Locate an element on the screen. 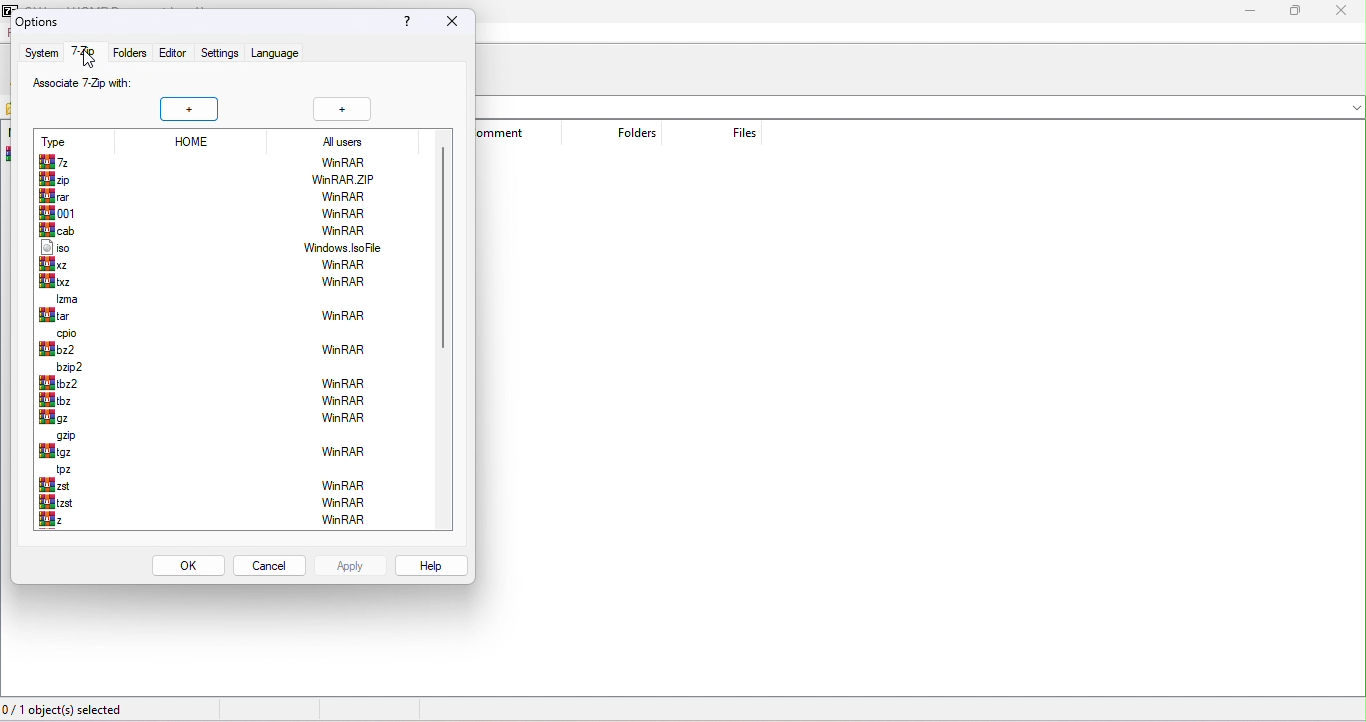 The image size is (1366, 722). settings is located at coordinates (219, 52).